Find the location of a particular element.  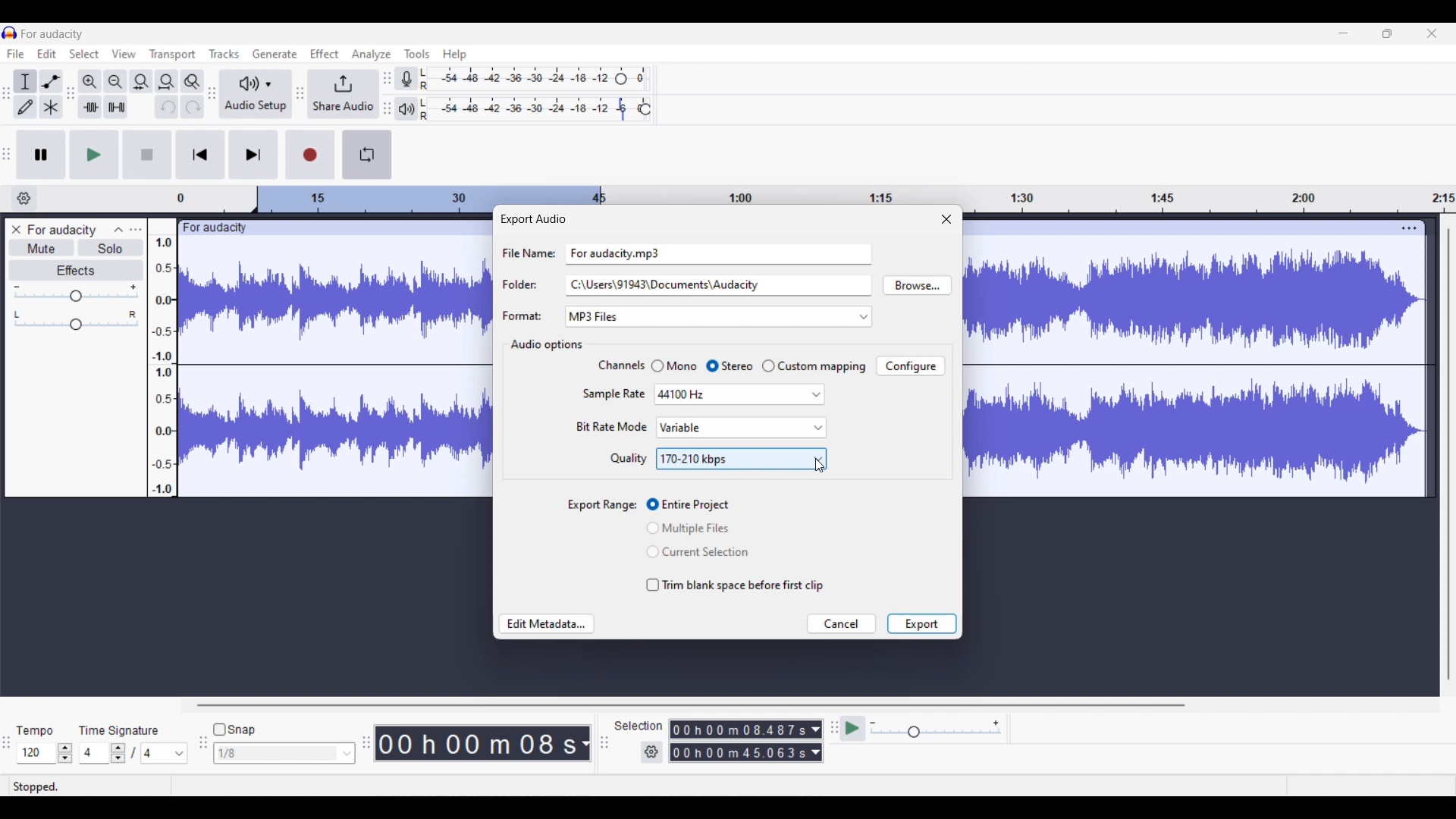

Analyze menu is located at coordinates (372, 55).